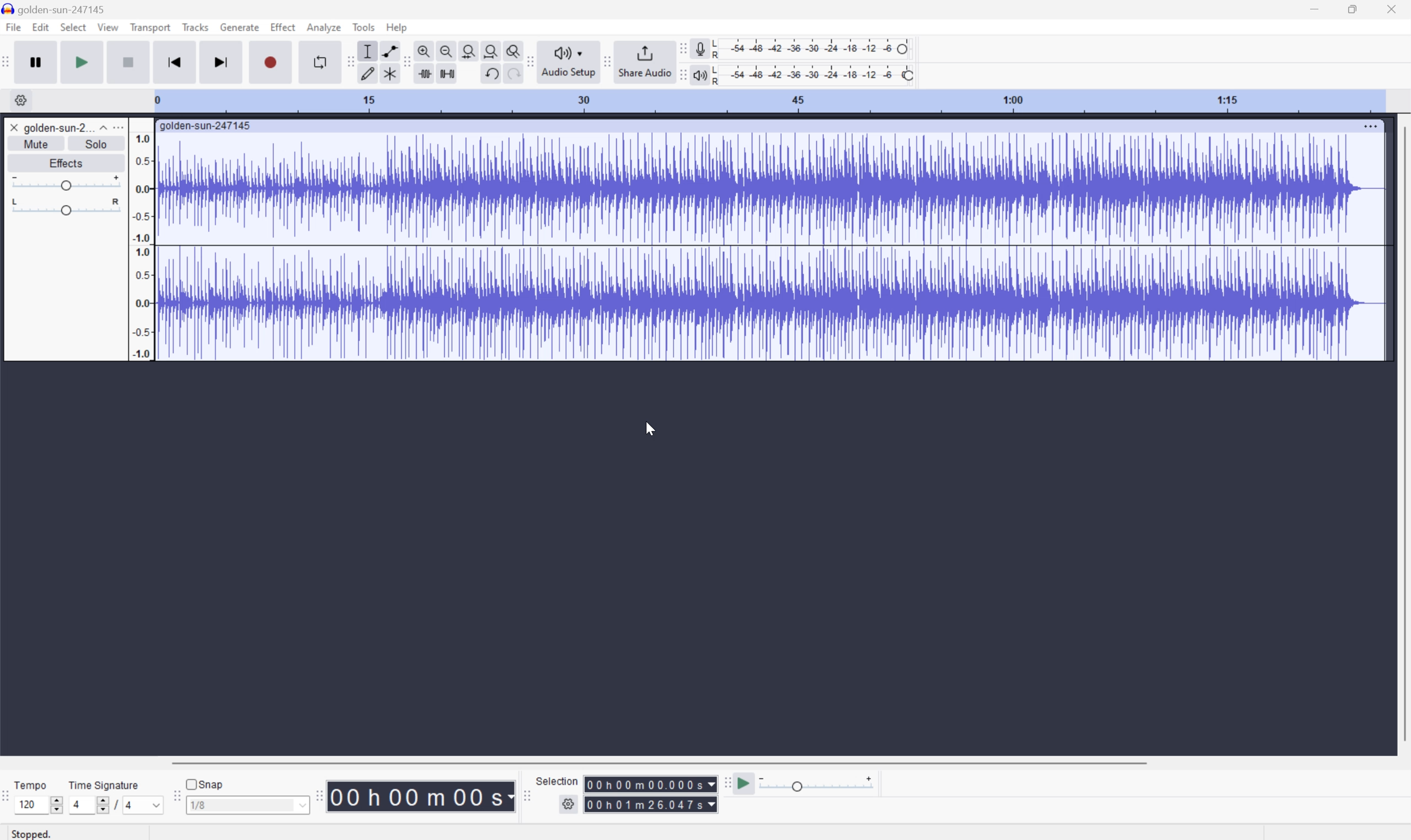  I want to click on Play, so click(82, 61).